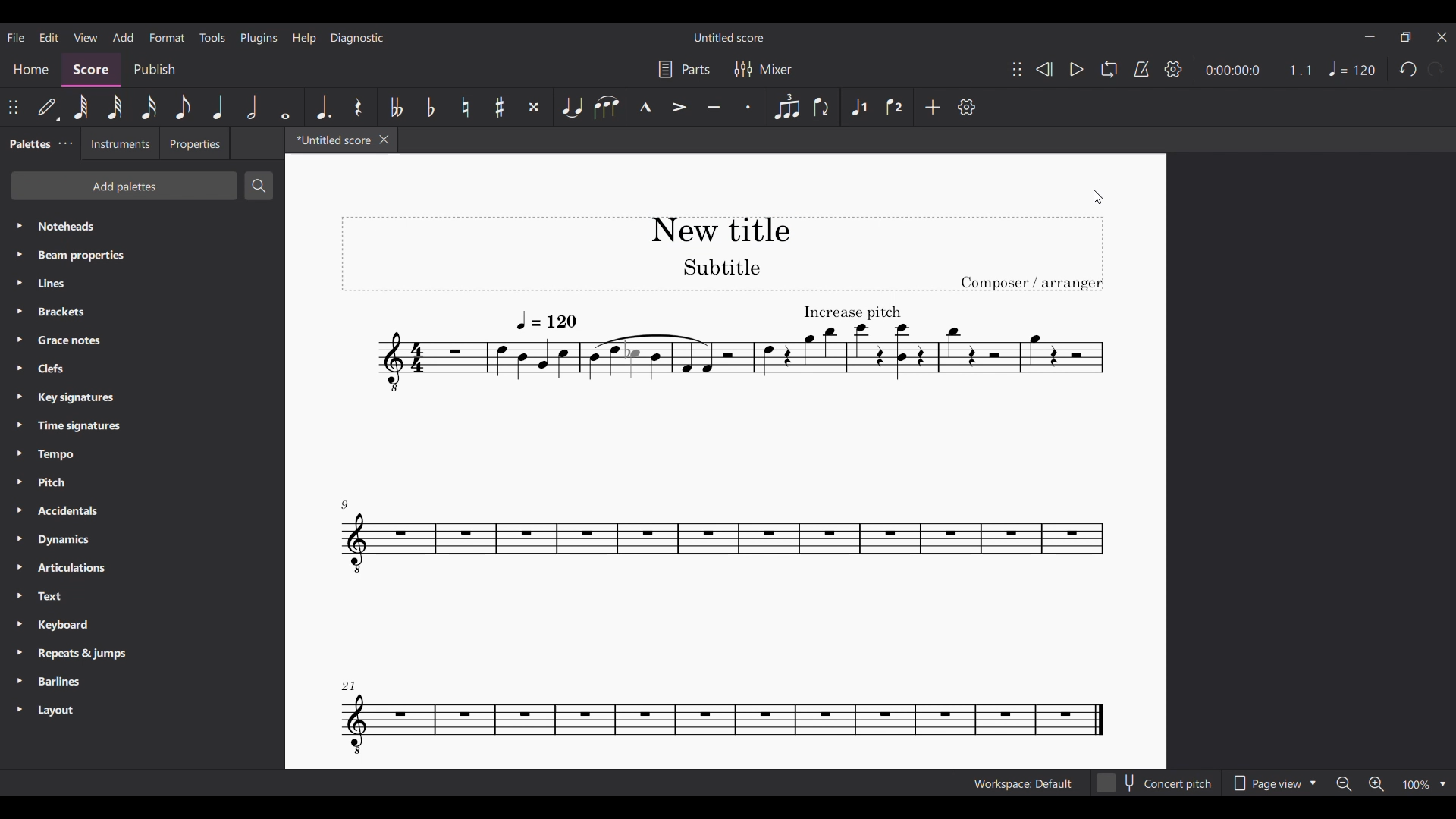  What do you see at coordinates (684, 69) in the screenshot?
I see `Parts settings` at bounding box center [684, 69].